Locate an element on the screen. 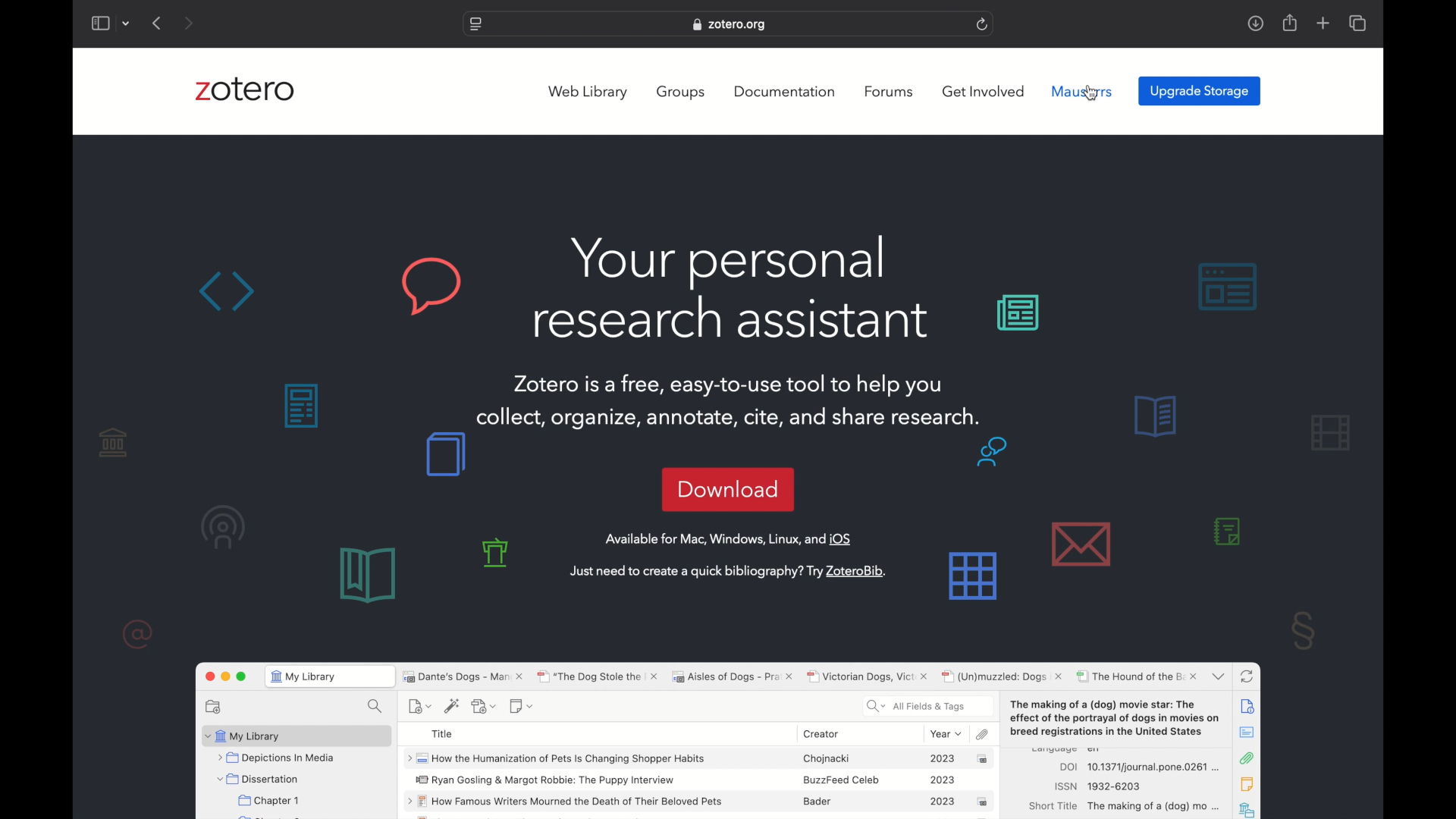  mauserrs is located at coordinates (1083, 92).